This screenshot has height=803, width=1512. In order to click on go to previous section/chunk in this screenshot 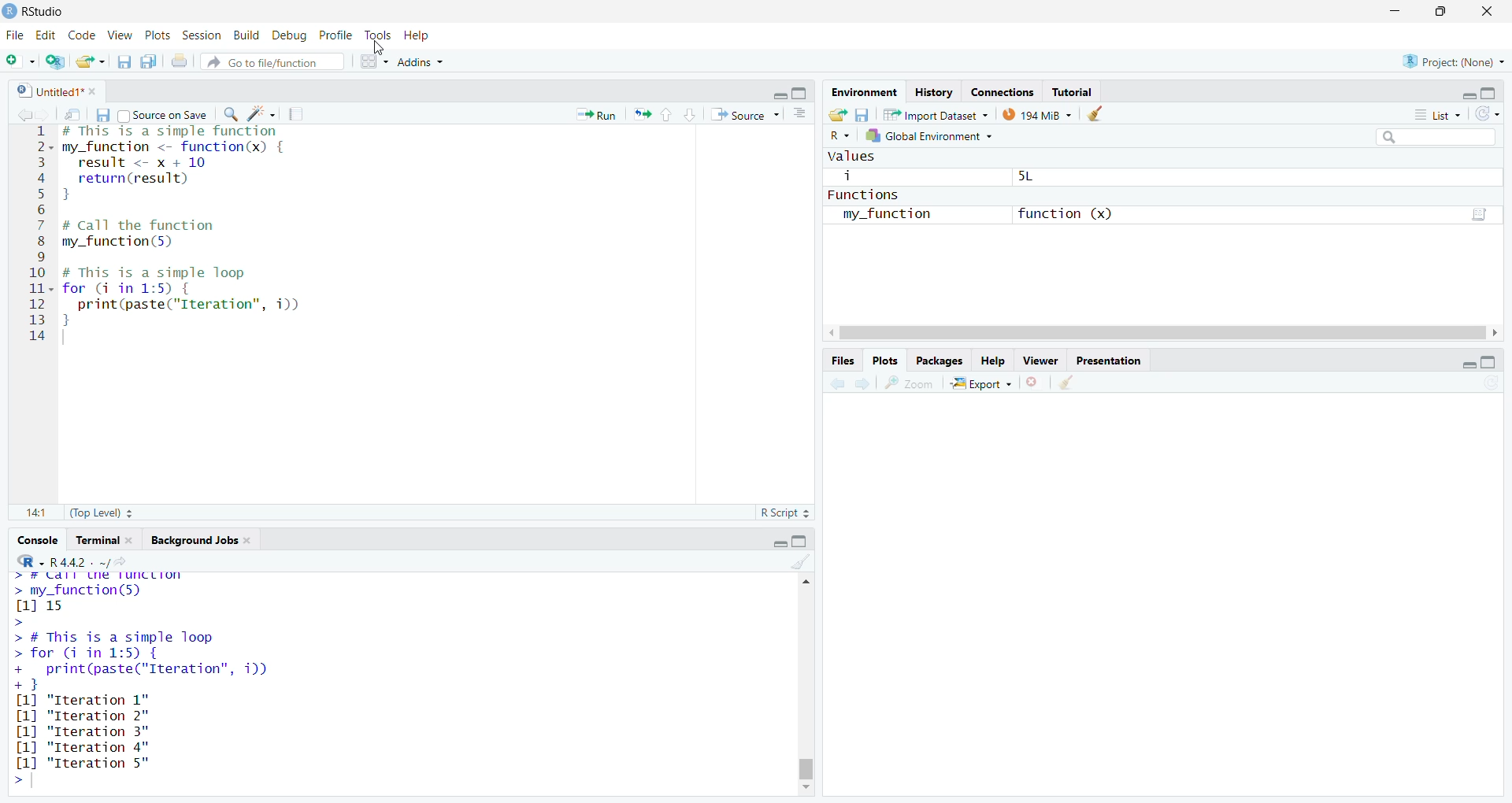, I will do `click(669, 113)`.